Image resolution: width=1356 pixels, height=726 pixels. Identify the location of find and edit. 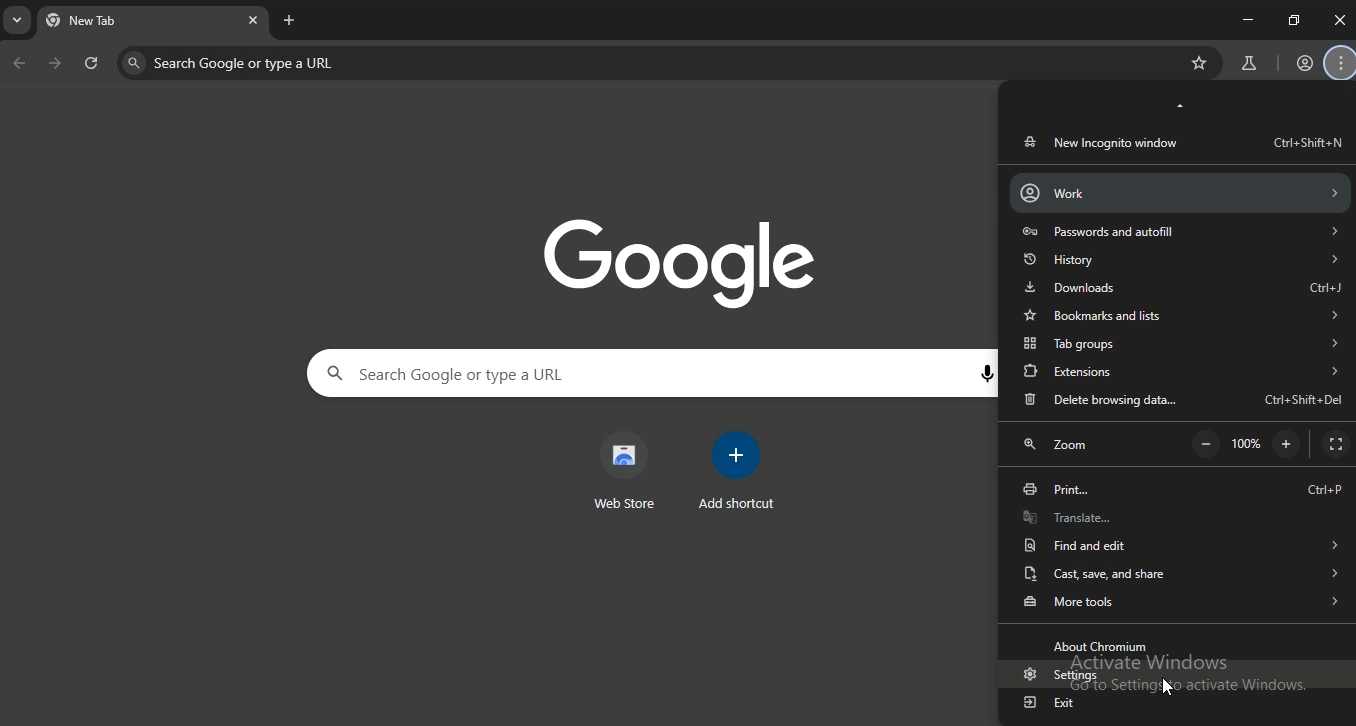
(1177, 543).